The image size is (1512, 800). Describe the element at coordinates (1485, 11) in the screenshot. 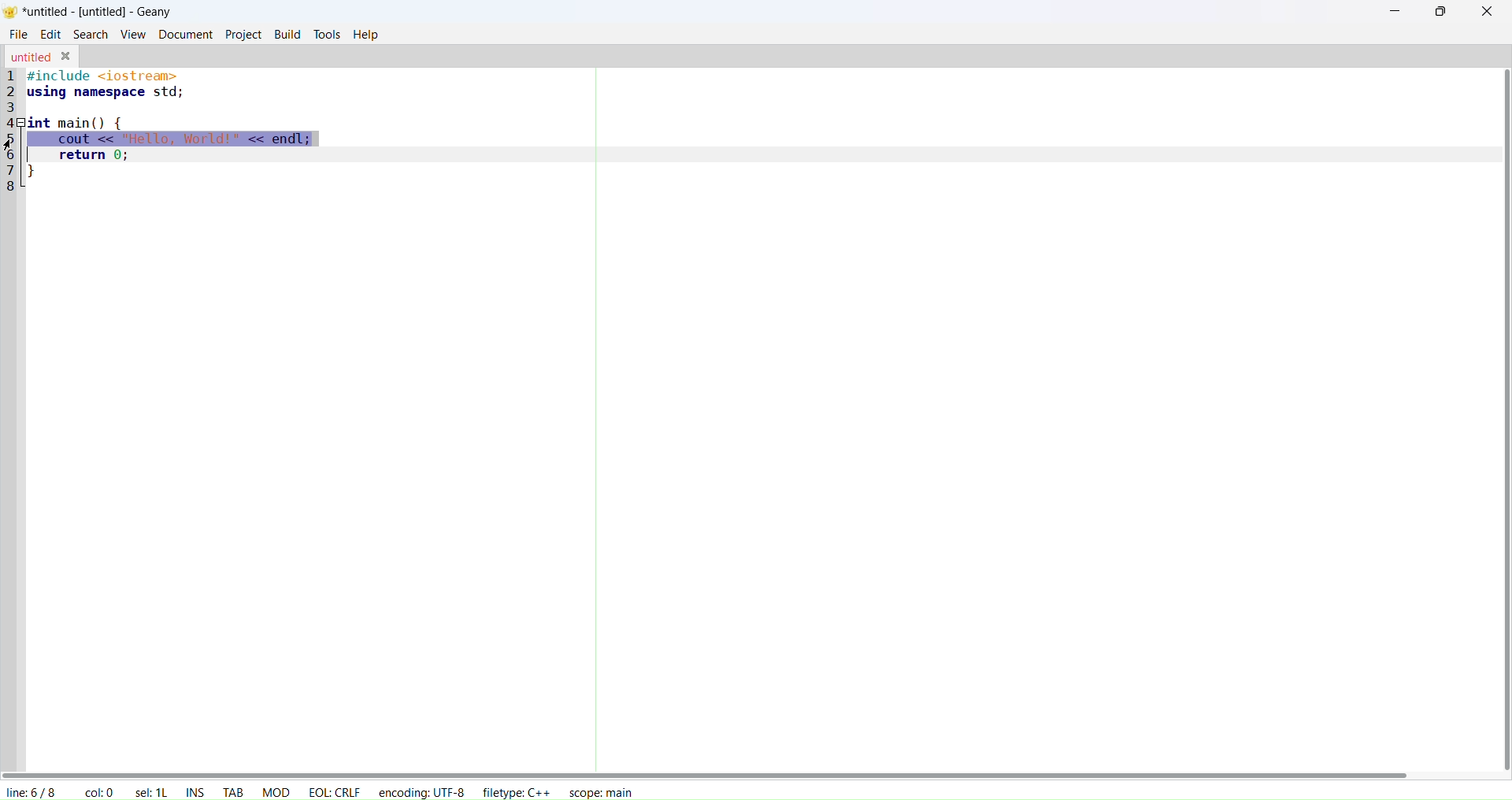

I see `close` at that location.